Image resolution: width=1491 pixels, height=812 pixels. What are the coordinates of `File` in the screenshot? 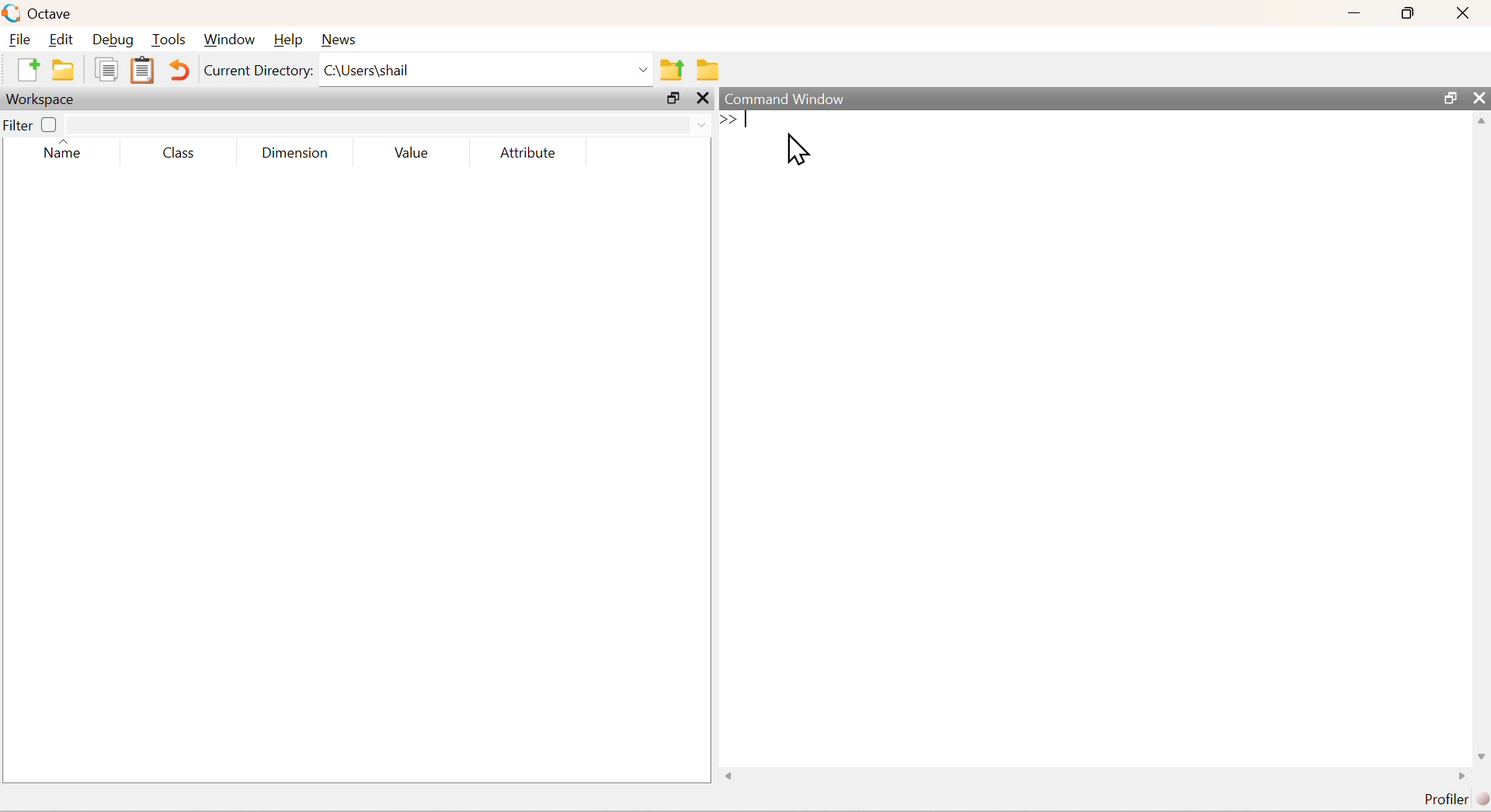 It's located at (23, 40).